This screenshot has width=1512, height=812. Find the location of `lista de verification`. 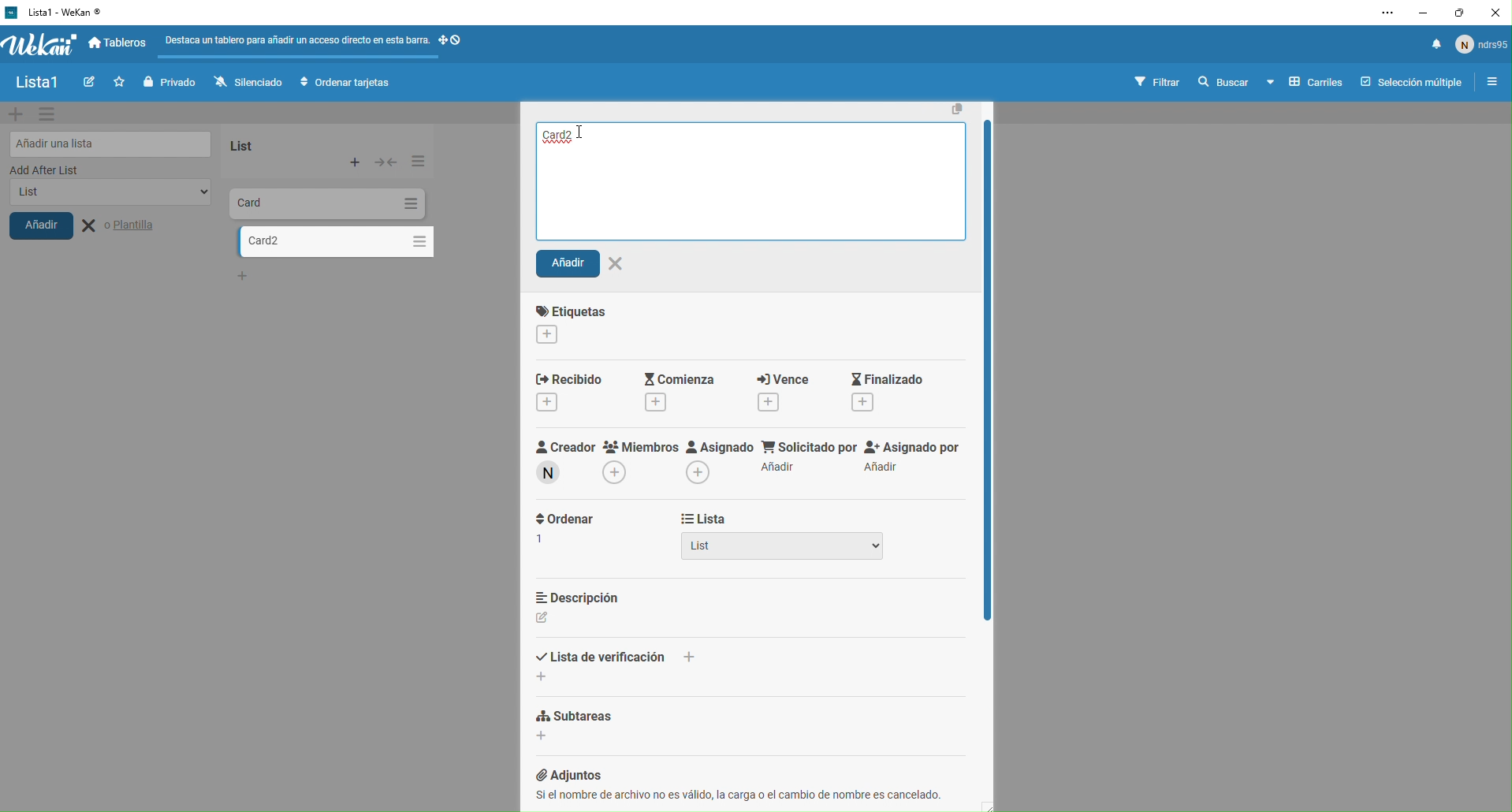

lista de verification is located at coordinates (618, 664).